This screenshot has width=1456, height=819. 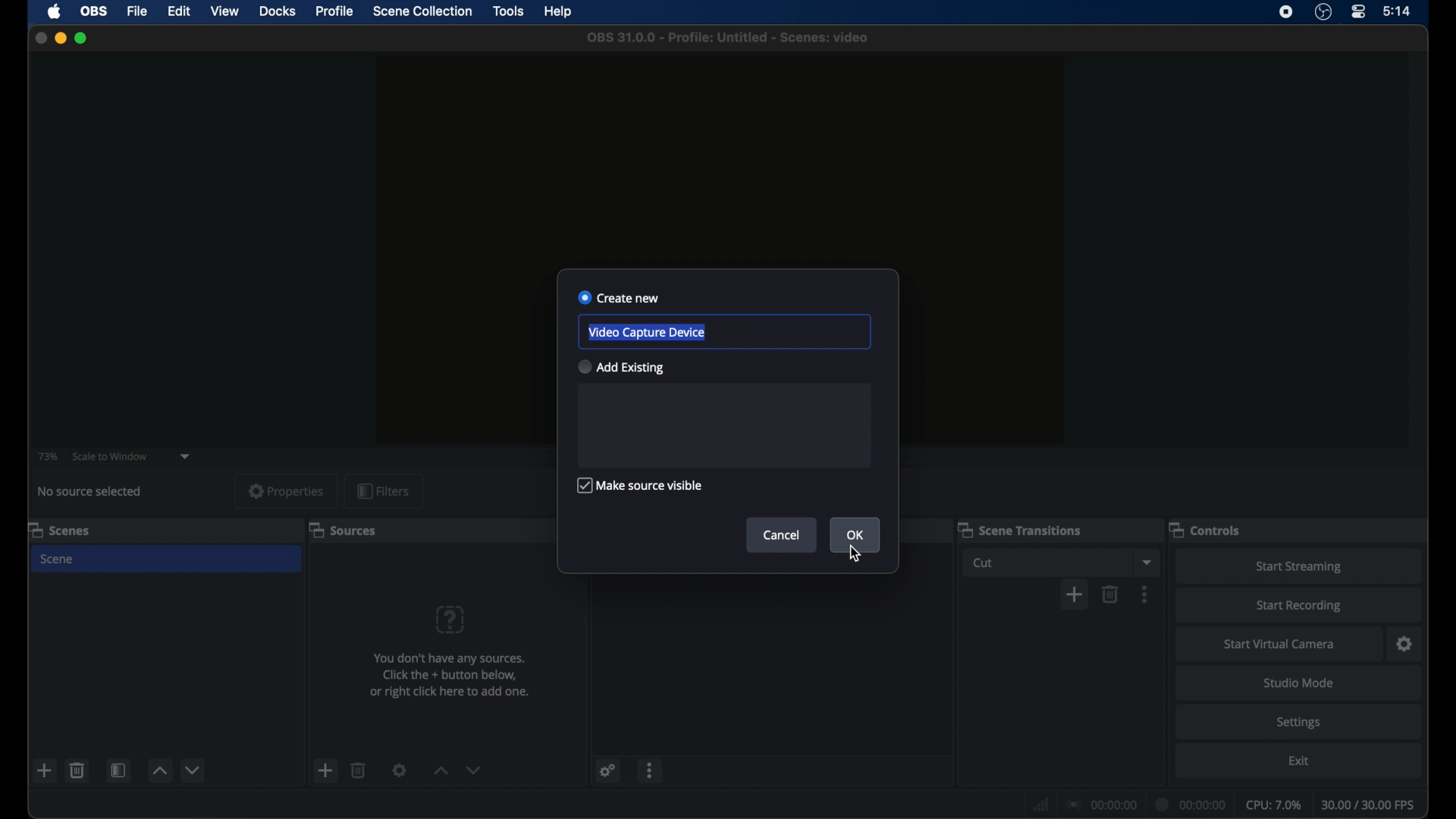 What do you see at coordinates (326, 770) in the screenshot?
I see `add` at bounding box center [326, 770].